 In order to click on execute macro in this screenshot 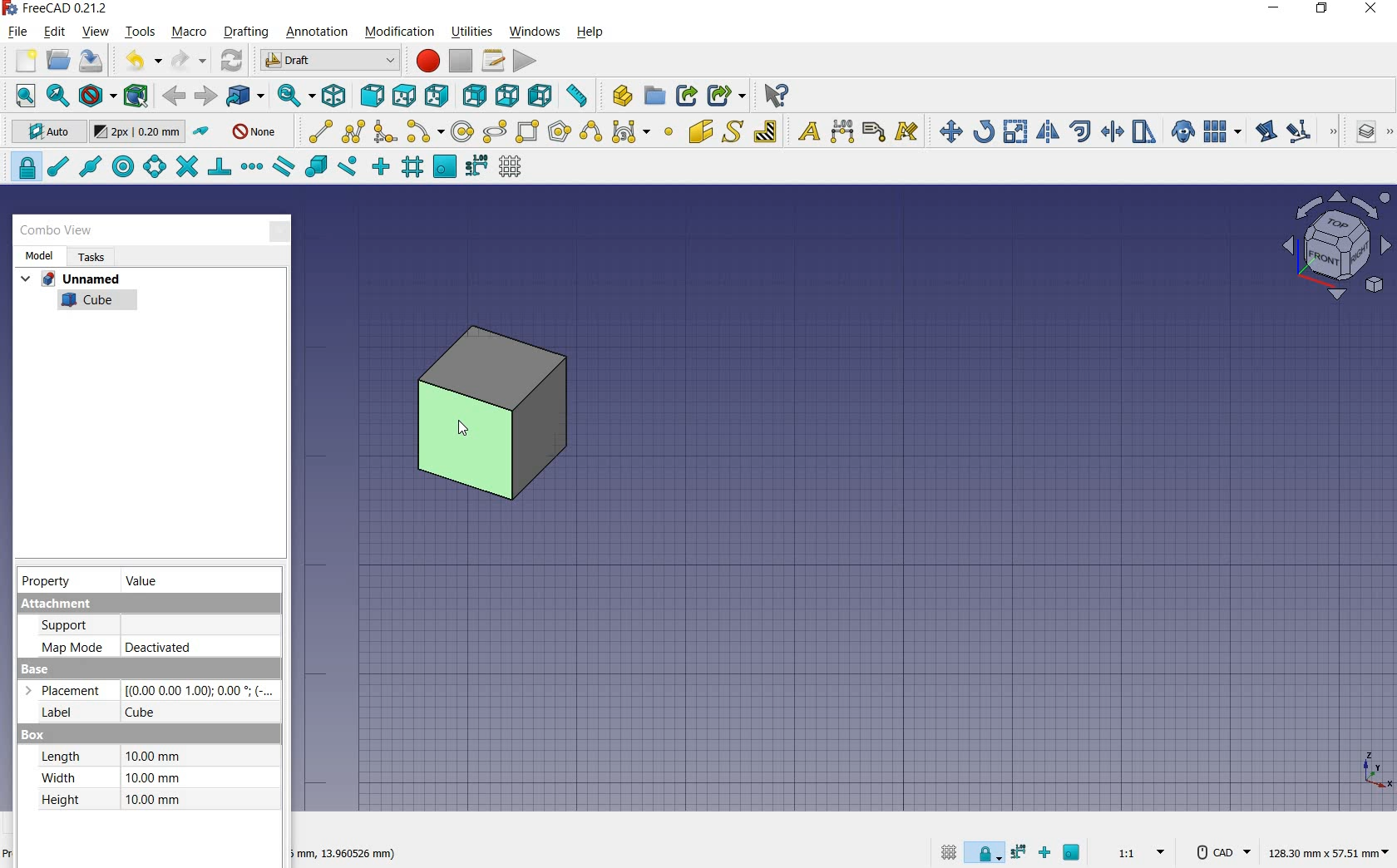, I will do `click(524, 62)`.